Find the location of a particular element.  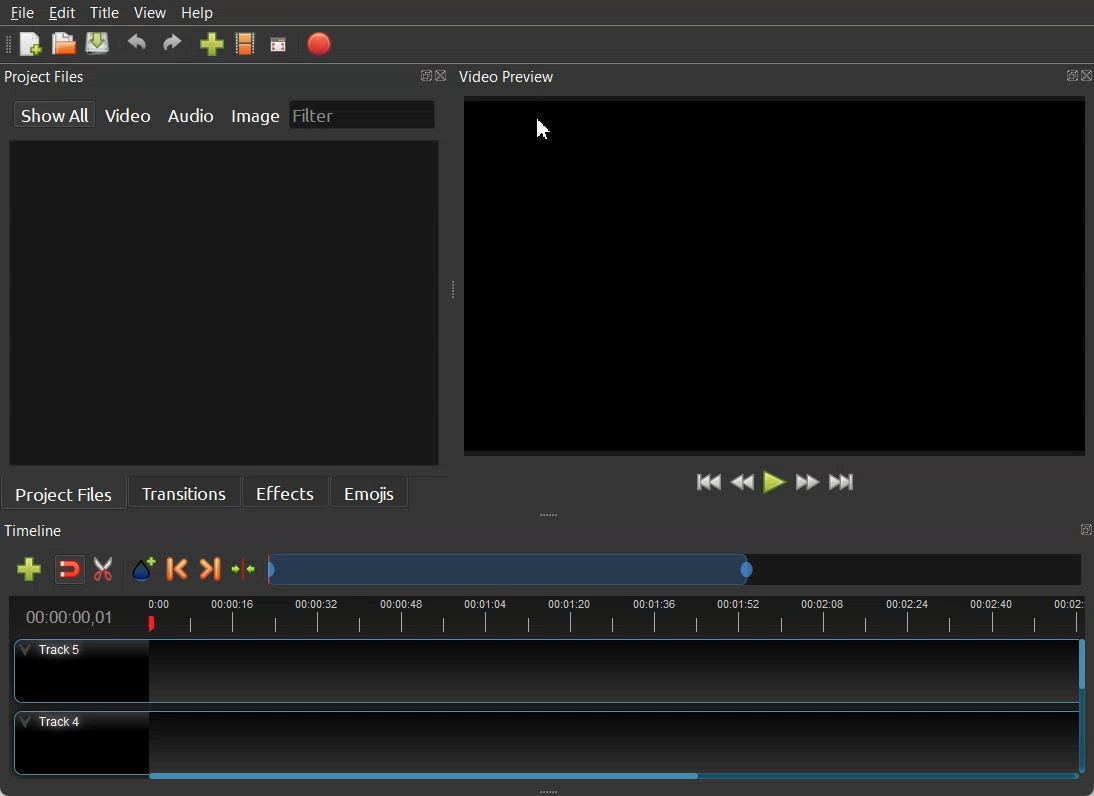

Jump to start is located at coordinates (708, 481).